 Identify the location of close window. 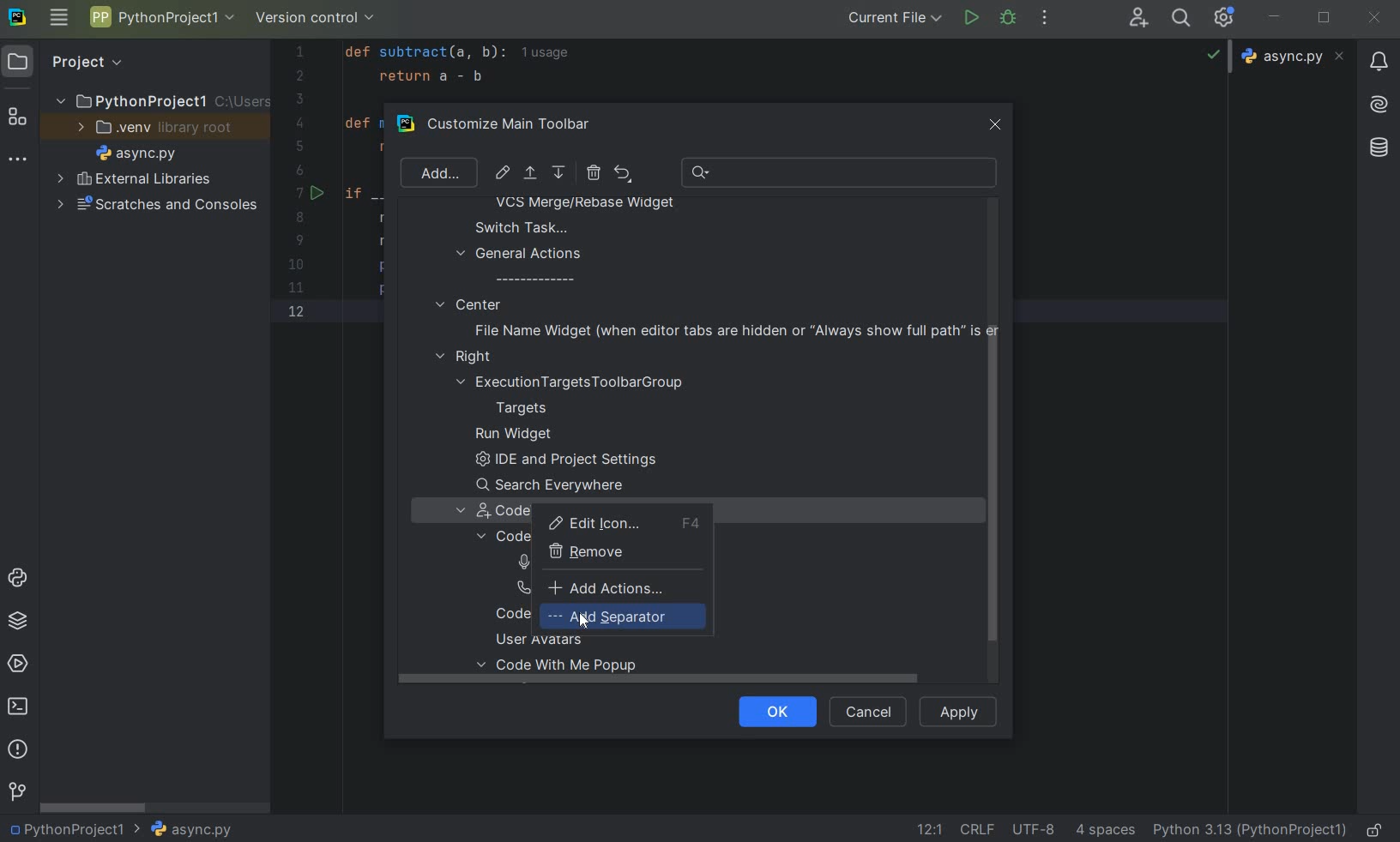
(997, 122).